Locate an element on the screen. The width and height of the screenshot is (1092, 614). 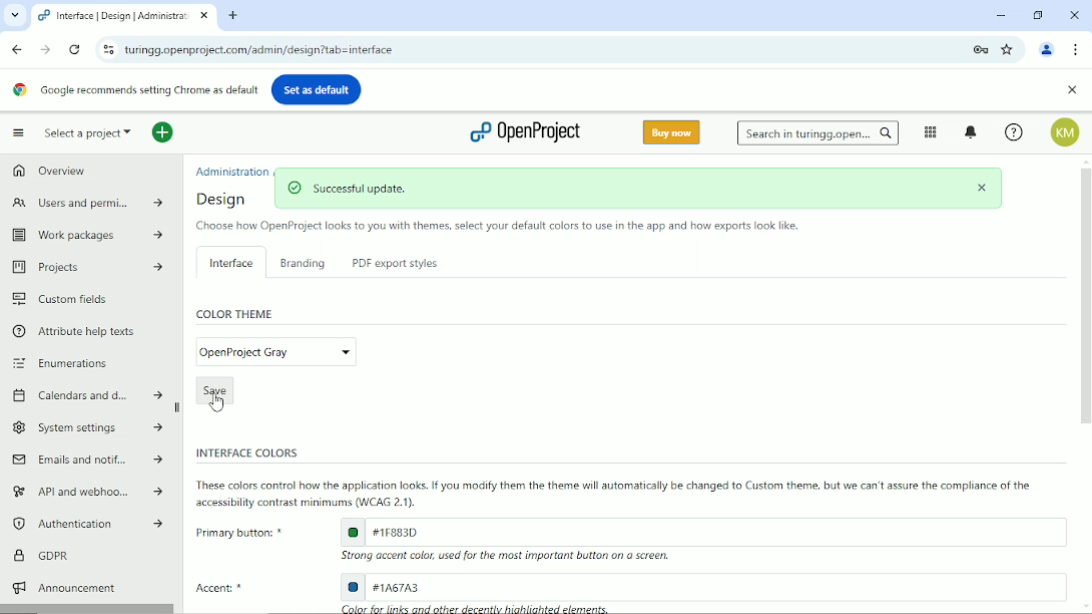
Lock is located at coordinates (980, 48).